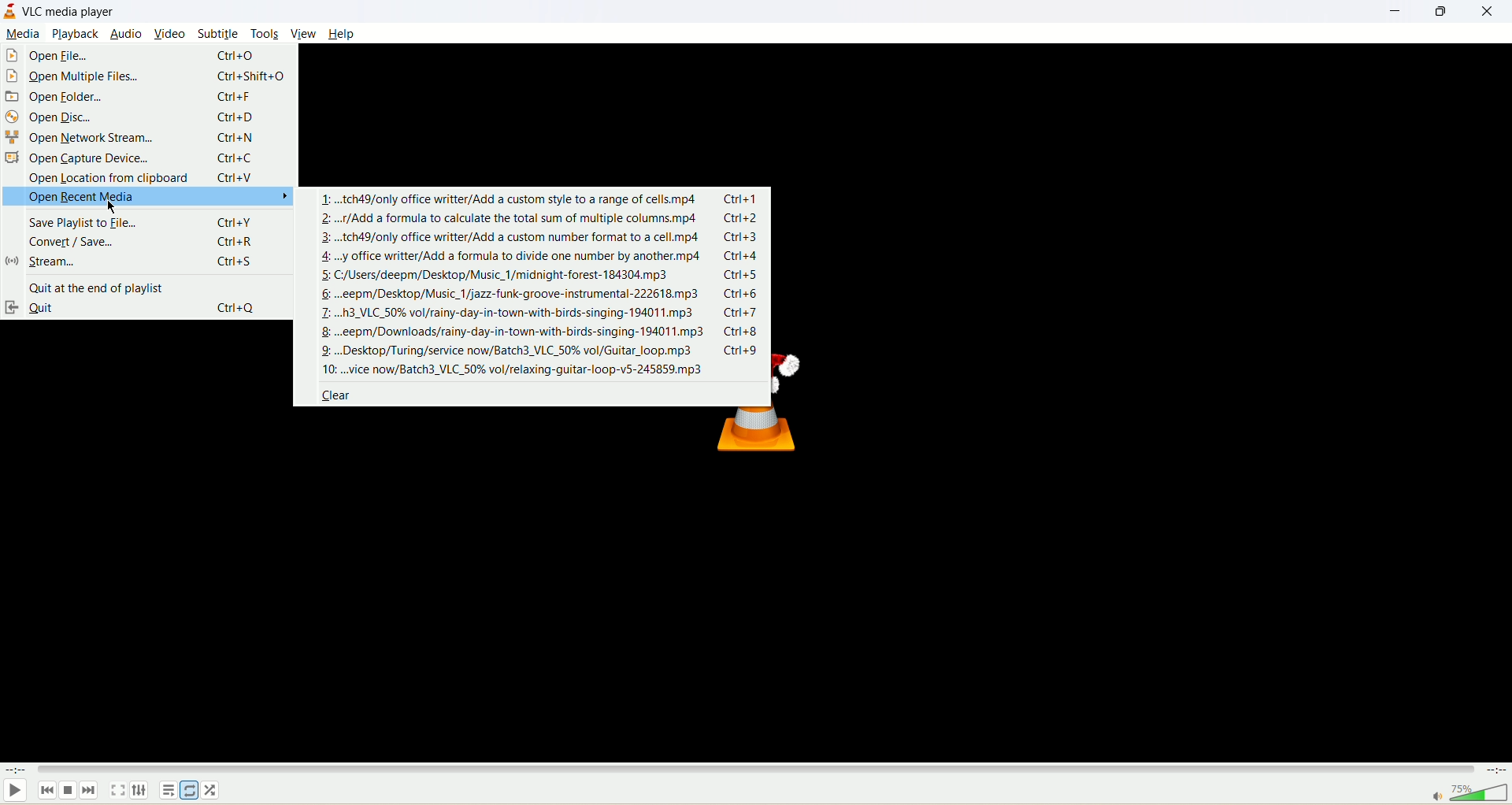  What do you see at coordinates (77, 97) in the screenshot?
I see `open folder...` at bounding box center [77, 97].